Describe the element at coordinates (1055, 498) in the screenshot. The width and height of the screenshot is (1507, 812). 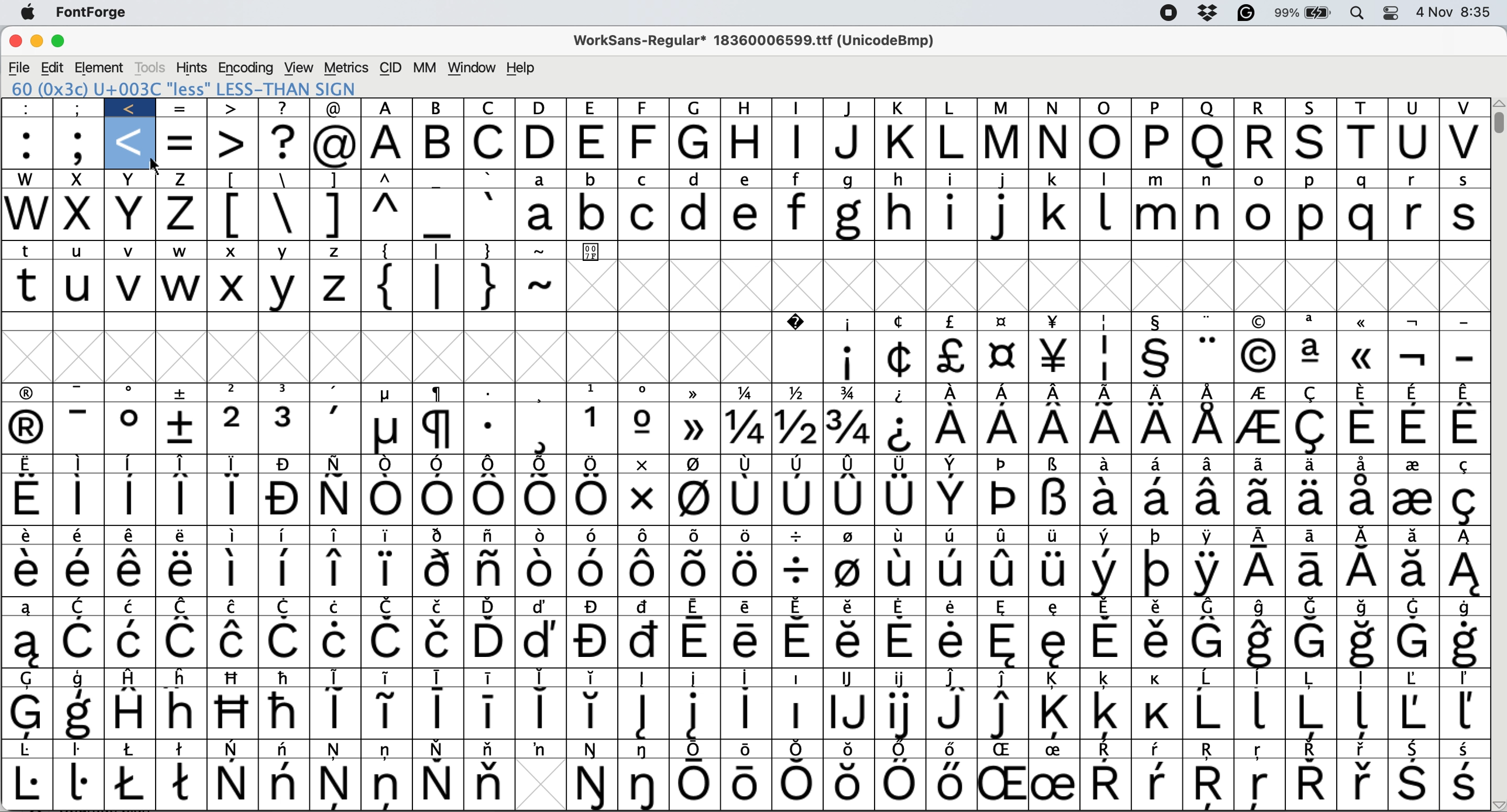
I see `Symbol` at that location.